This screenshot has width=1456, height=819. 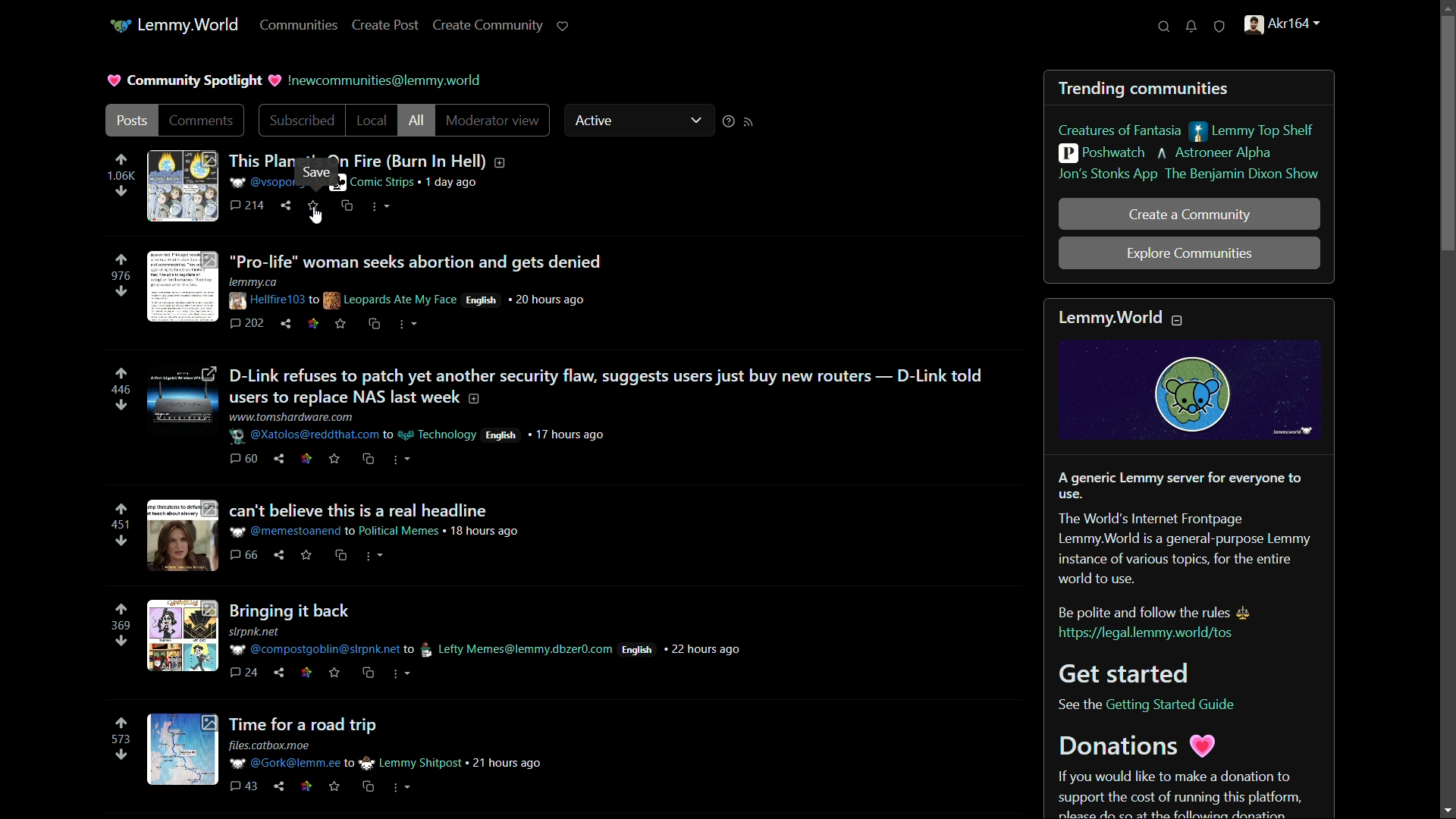 I want to click on about lemmy.world, so click(x=1191, y=559).